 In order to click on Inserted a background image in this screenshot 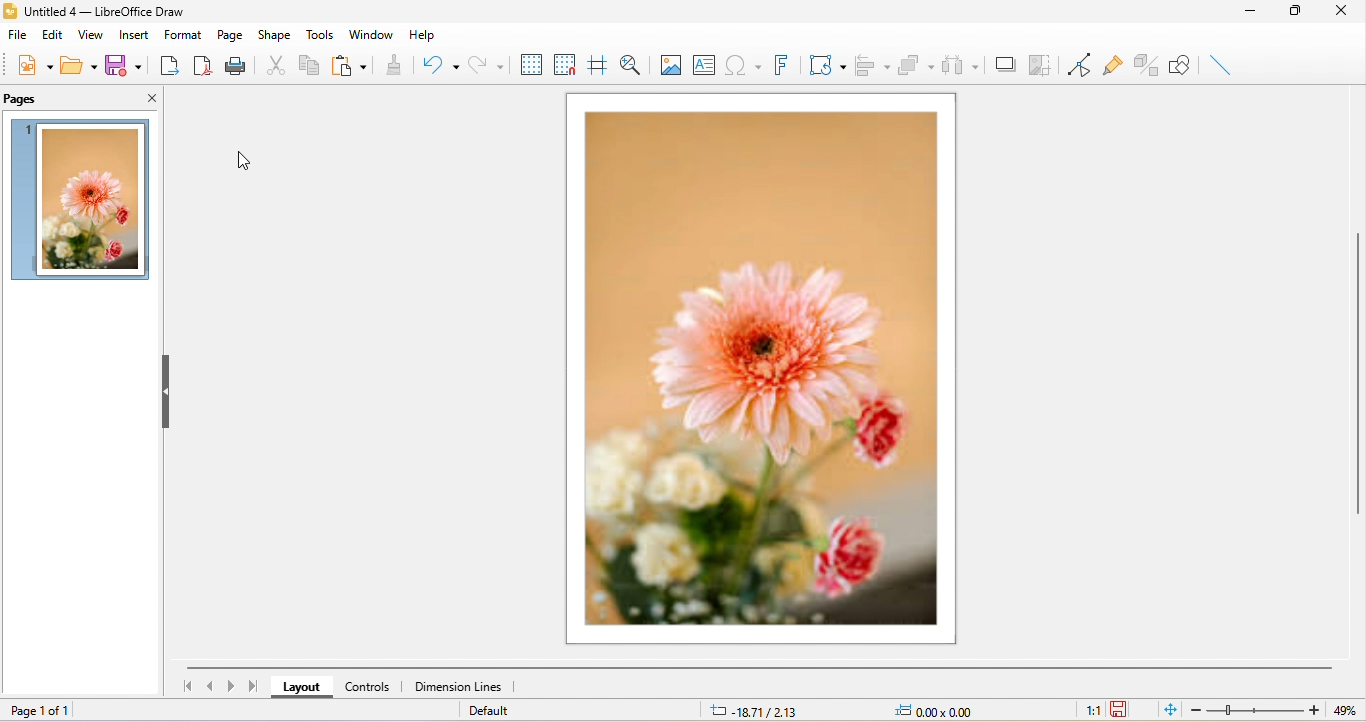, I will do `click(763, 371)`.